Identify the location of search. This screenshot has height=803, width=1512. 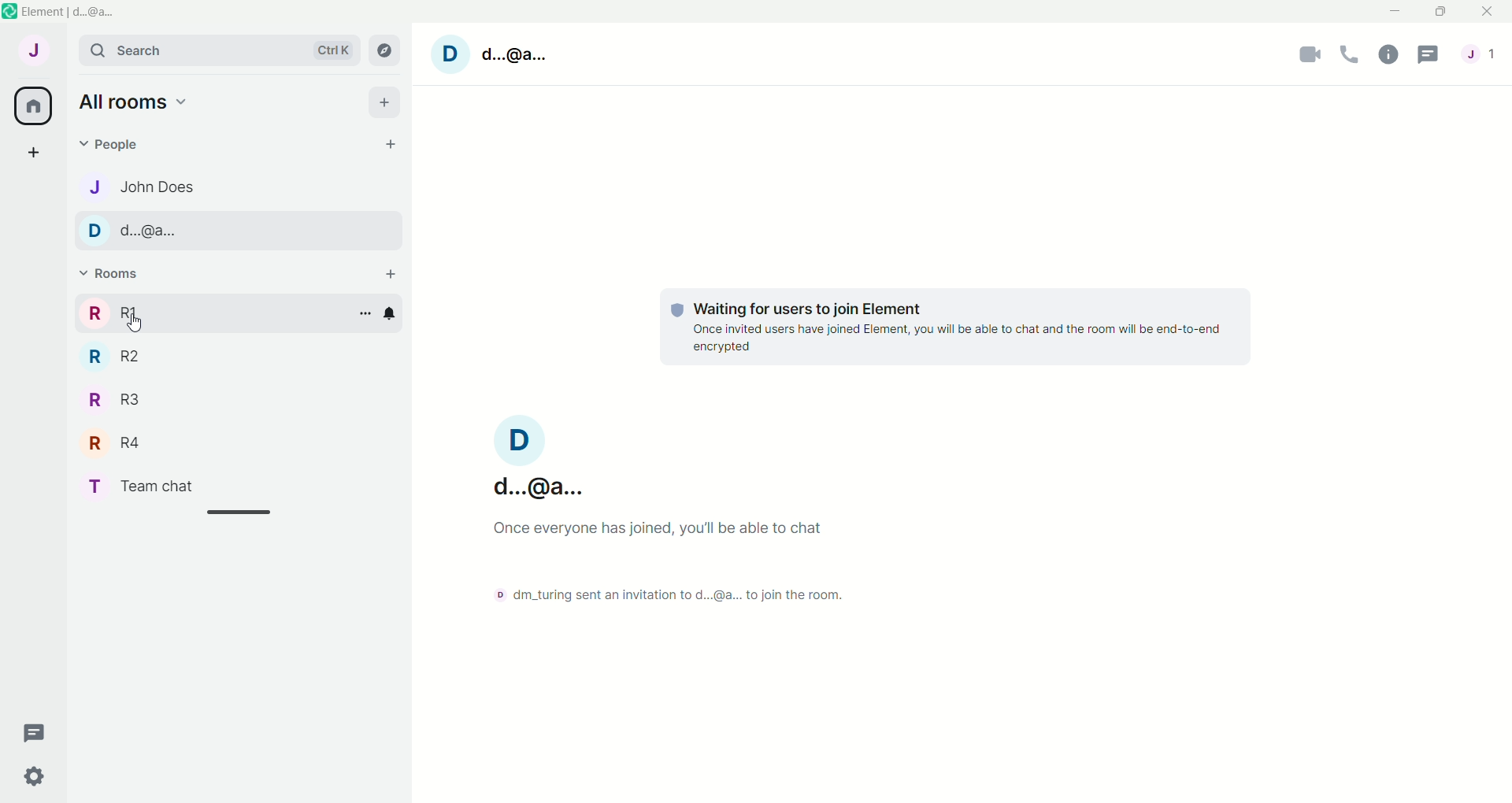
(223, 52).